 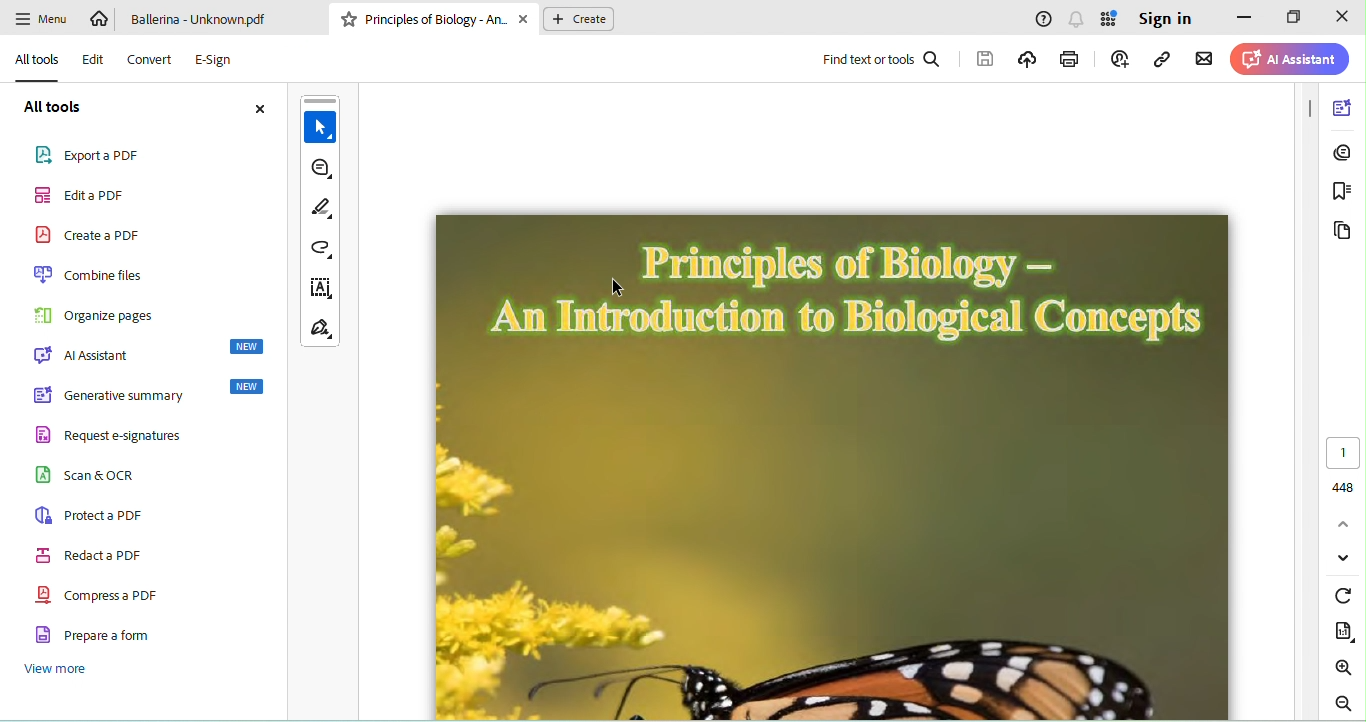 What do you see at coordinates (216, 60) in the screenshot?
I see `e sign` at bounding box center [216, 60].